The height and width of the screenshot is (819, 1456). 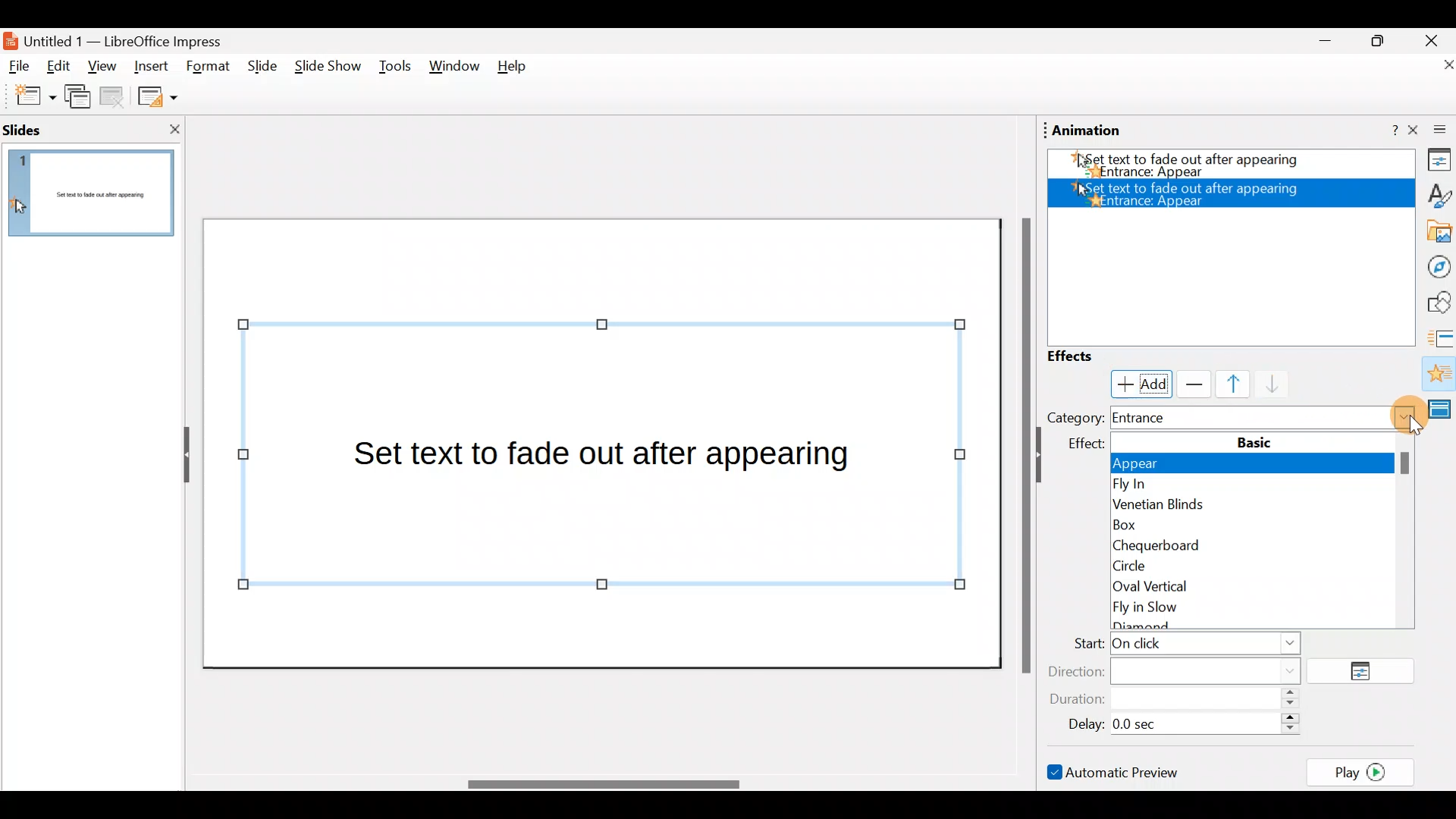 What do you see at coordinates (96, 201) in the screenshot?
I see `Slide pane` at bounding box center [96, 201].